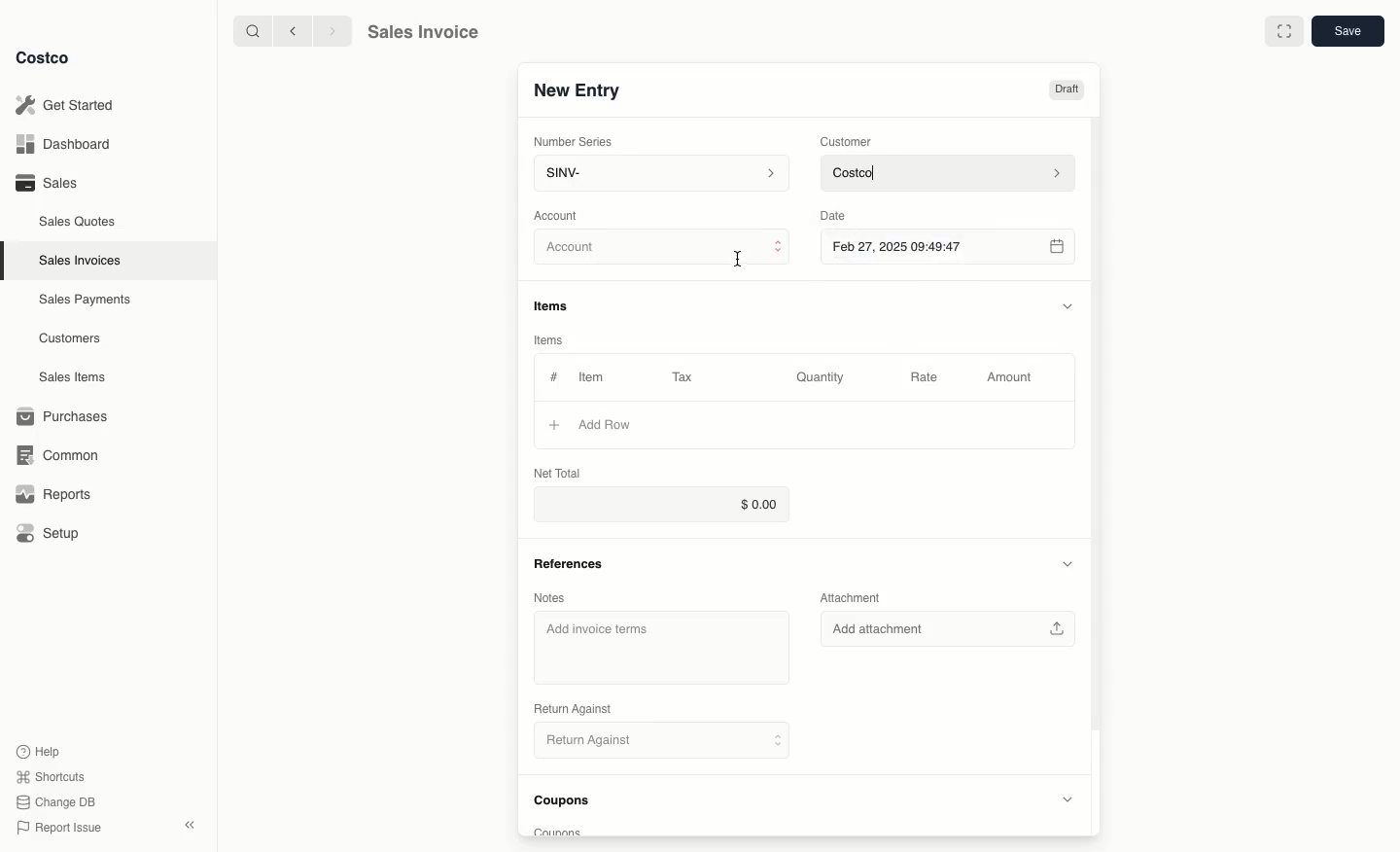 The height and width of the screenshot is (852, 1400). What do you see at coordinates (571, 709) in the screenshot?
I see `‘Return Against` at bounding box center [571, 709].